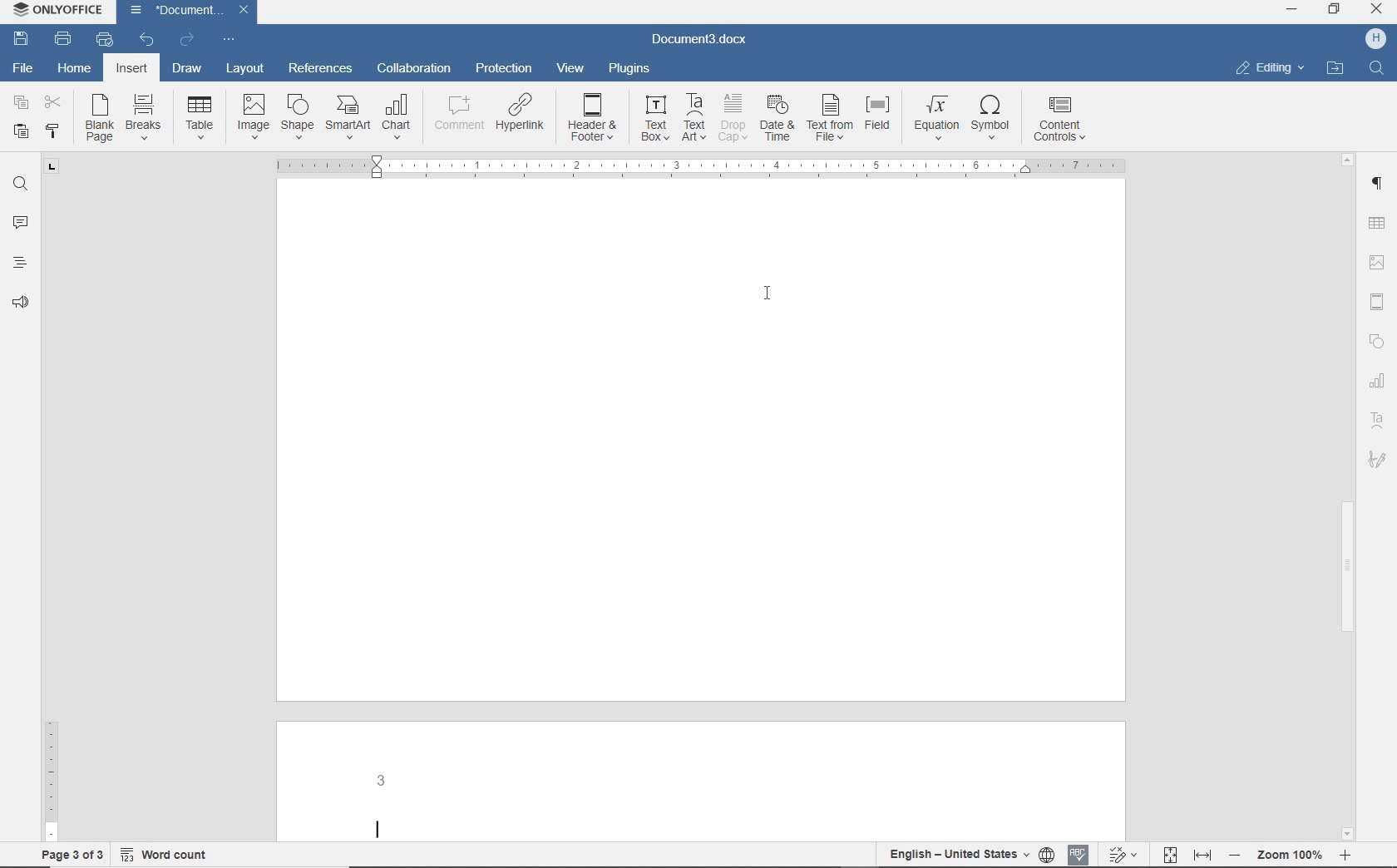  I want to click on DRAW, so click(185, 70).